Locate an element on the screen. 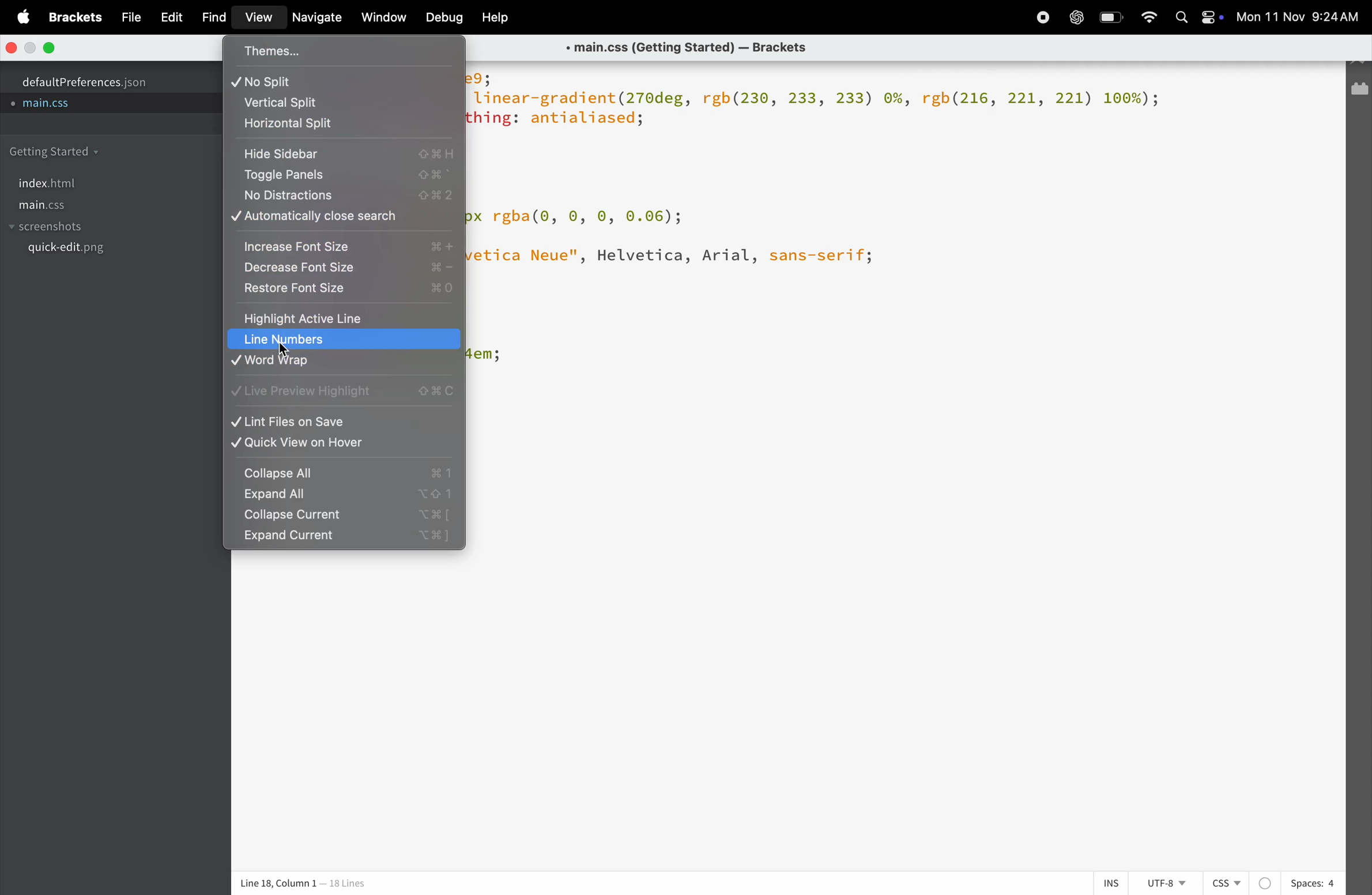 This screenshot has width=1372, height=895. lines 18 column 1-15 lines is located at coordinates (337, 884).